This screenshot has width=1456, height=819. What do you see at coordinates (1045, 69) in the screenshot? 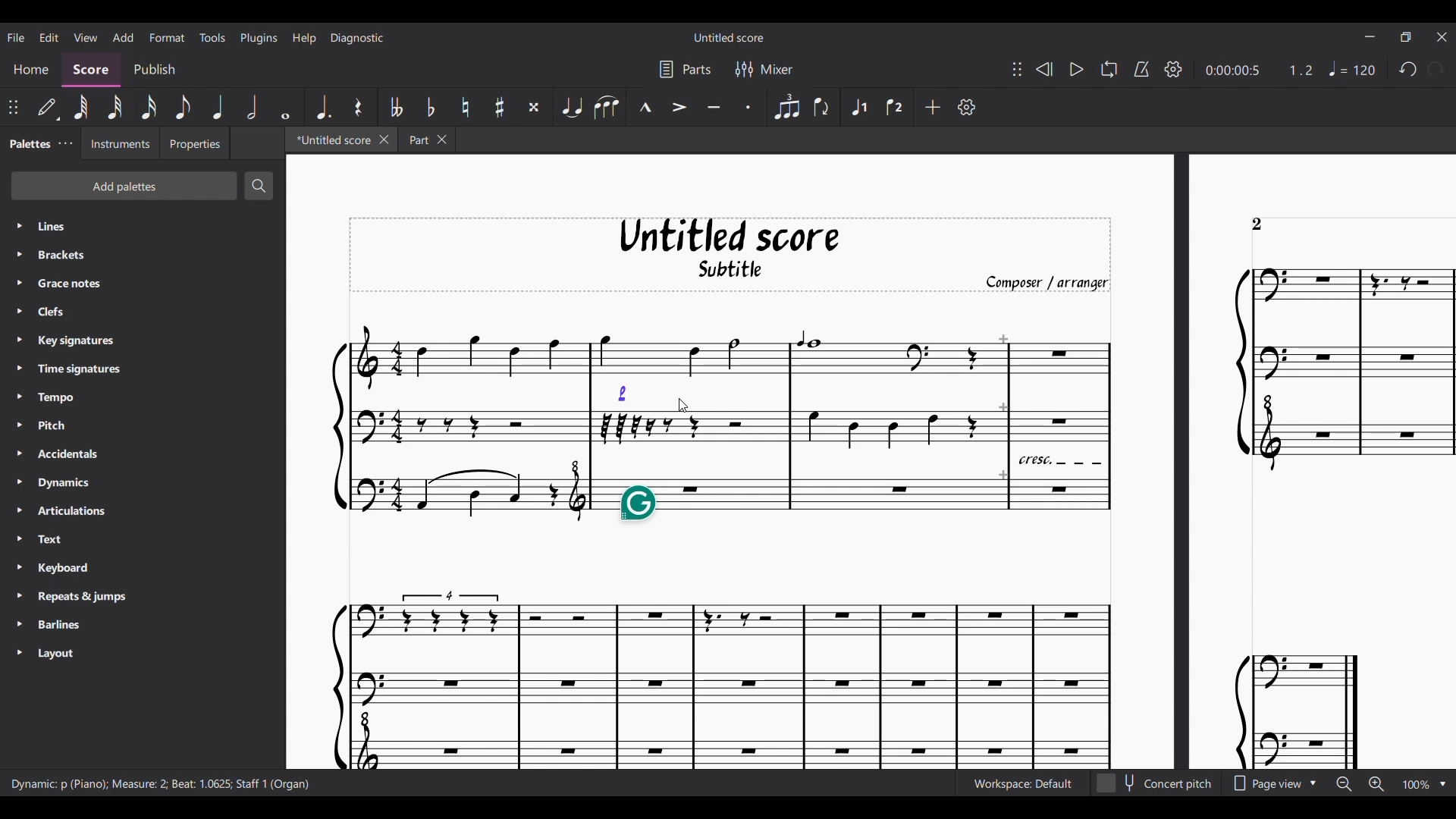
I see `Rewind` at bounding box center [1045, 69].